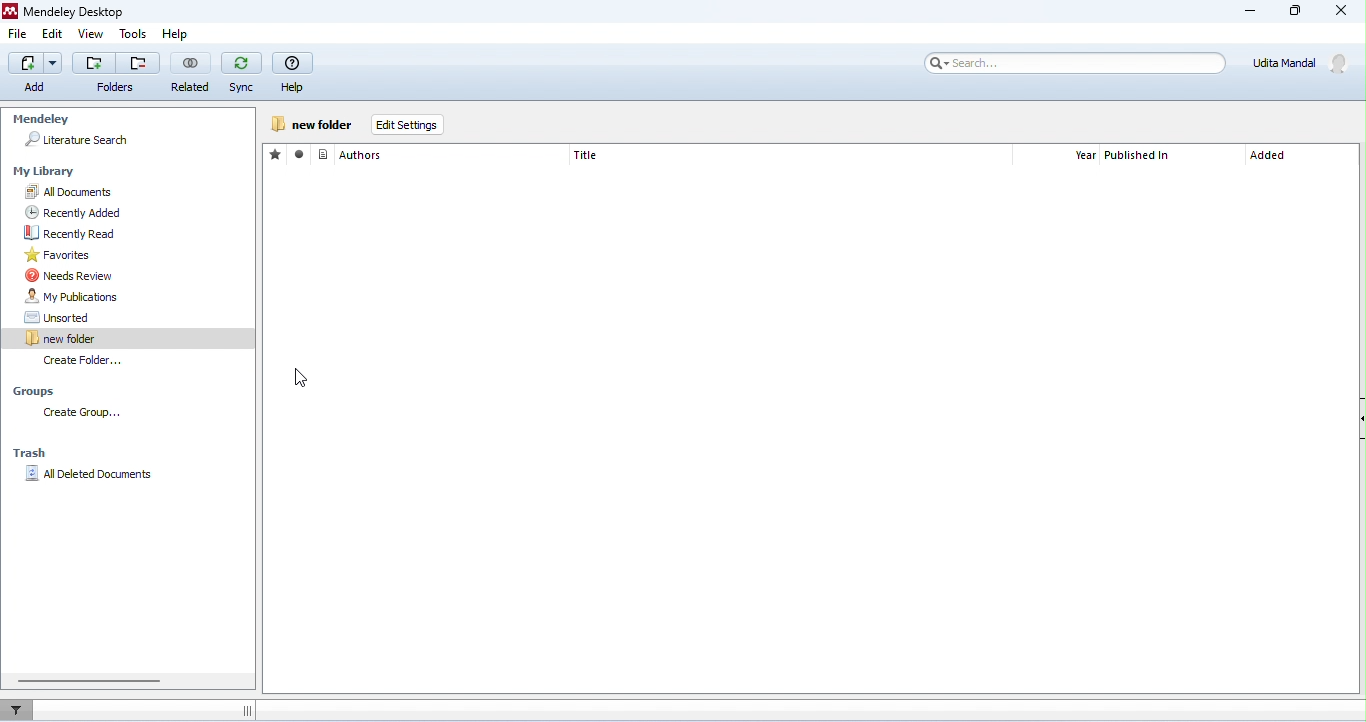 This screenshot has width=1366, height=722. What do you see at coordinates (190, 72) in the screenshot?
I see `related` at bounding box center [190, 72].